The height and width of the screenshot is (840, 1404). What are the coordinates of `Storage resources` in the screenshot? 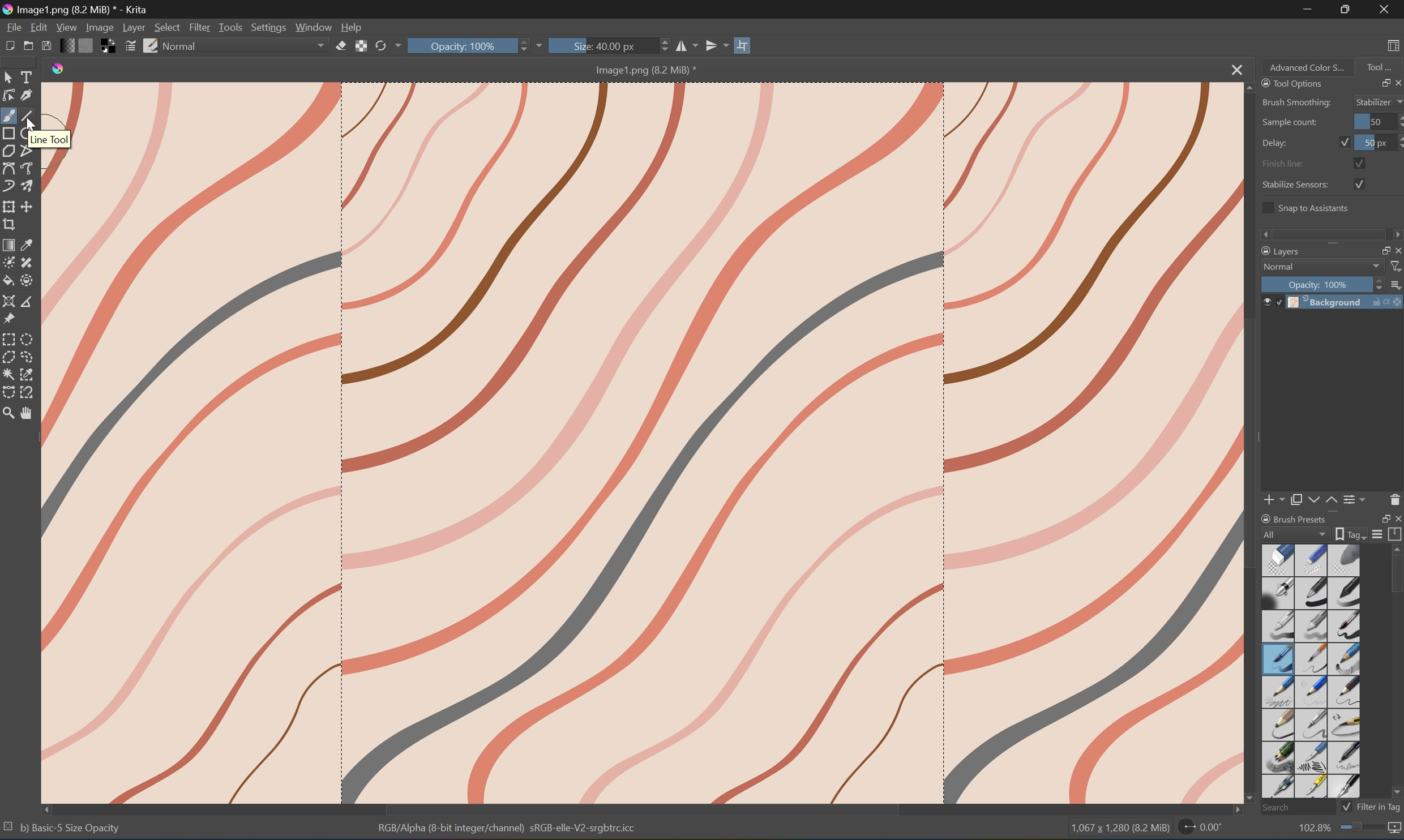 It's located at (1396, 534).